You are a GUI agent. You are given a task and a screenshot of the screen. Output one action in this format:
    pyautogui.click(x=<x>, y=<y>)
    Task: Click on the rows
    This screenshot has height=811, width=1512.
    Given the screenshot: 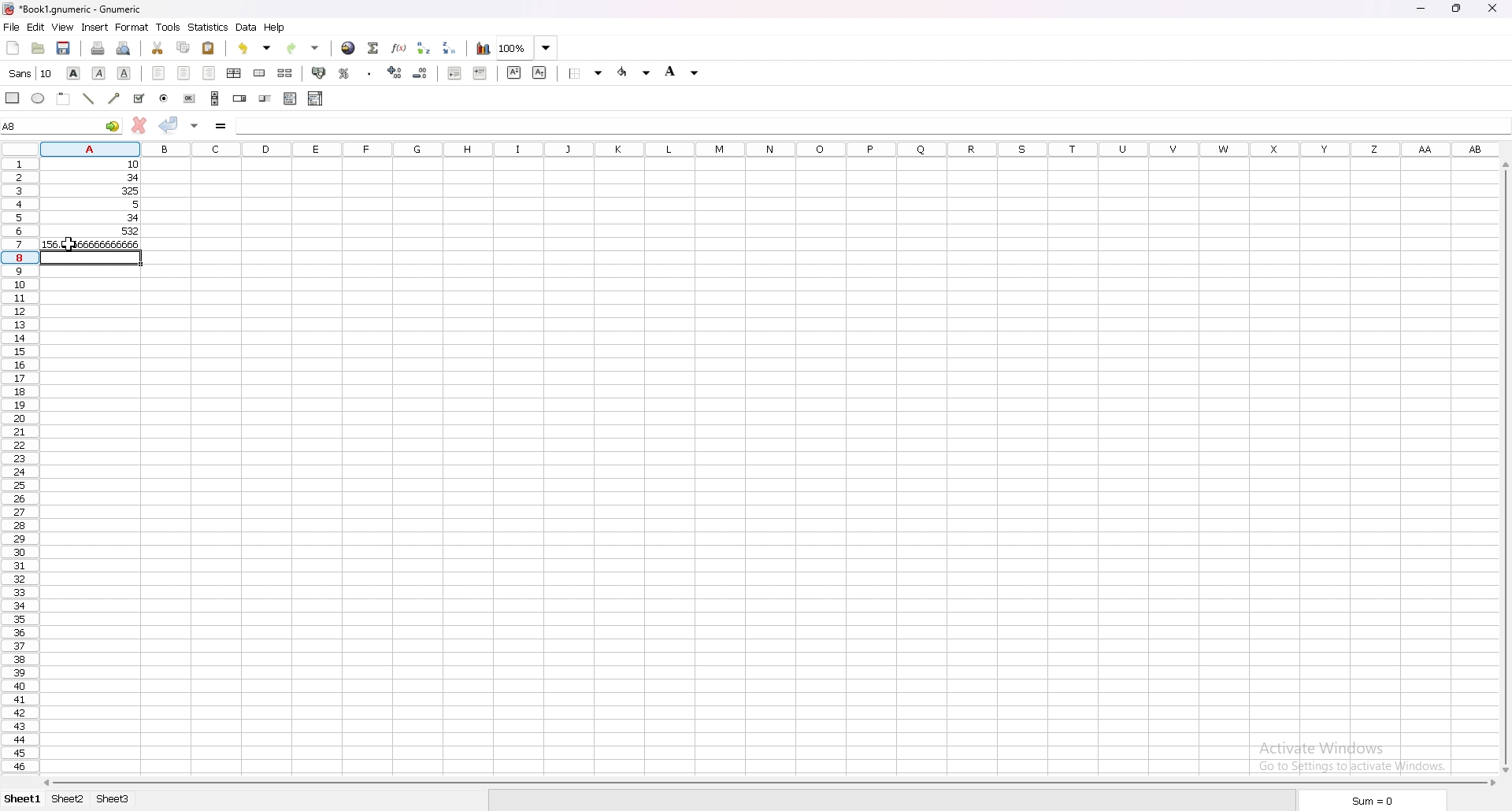 What is the action you would take?
    pyautogui.click(x=17, y=468)
    